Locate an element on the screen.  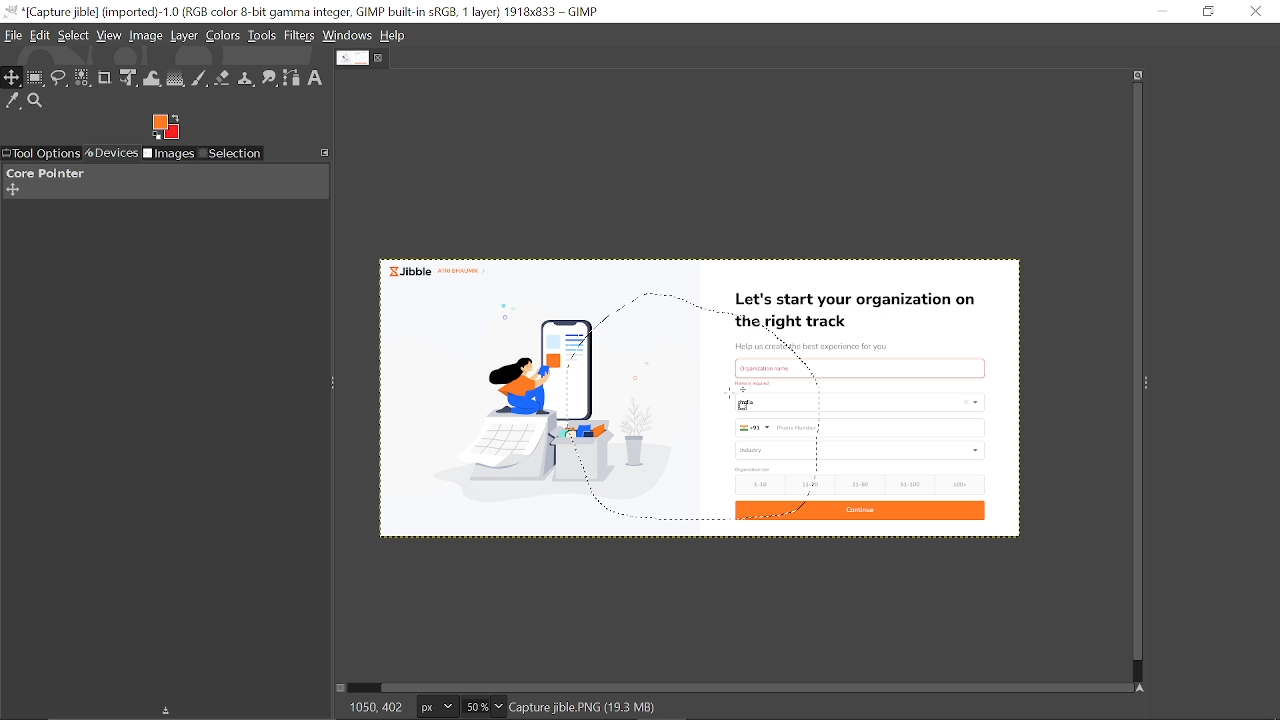
industry is located at coordinates (862, 450).